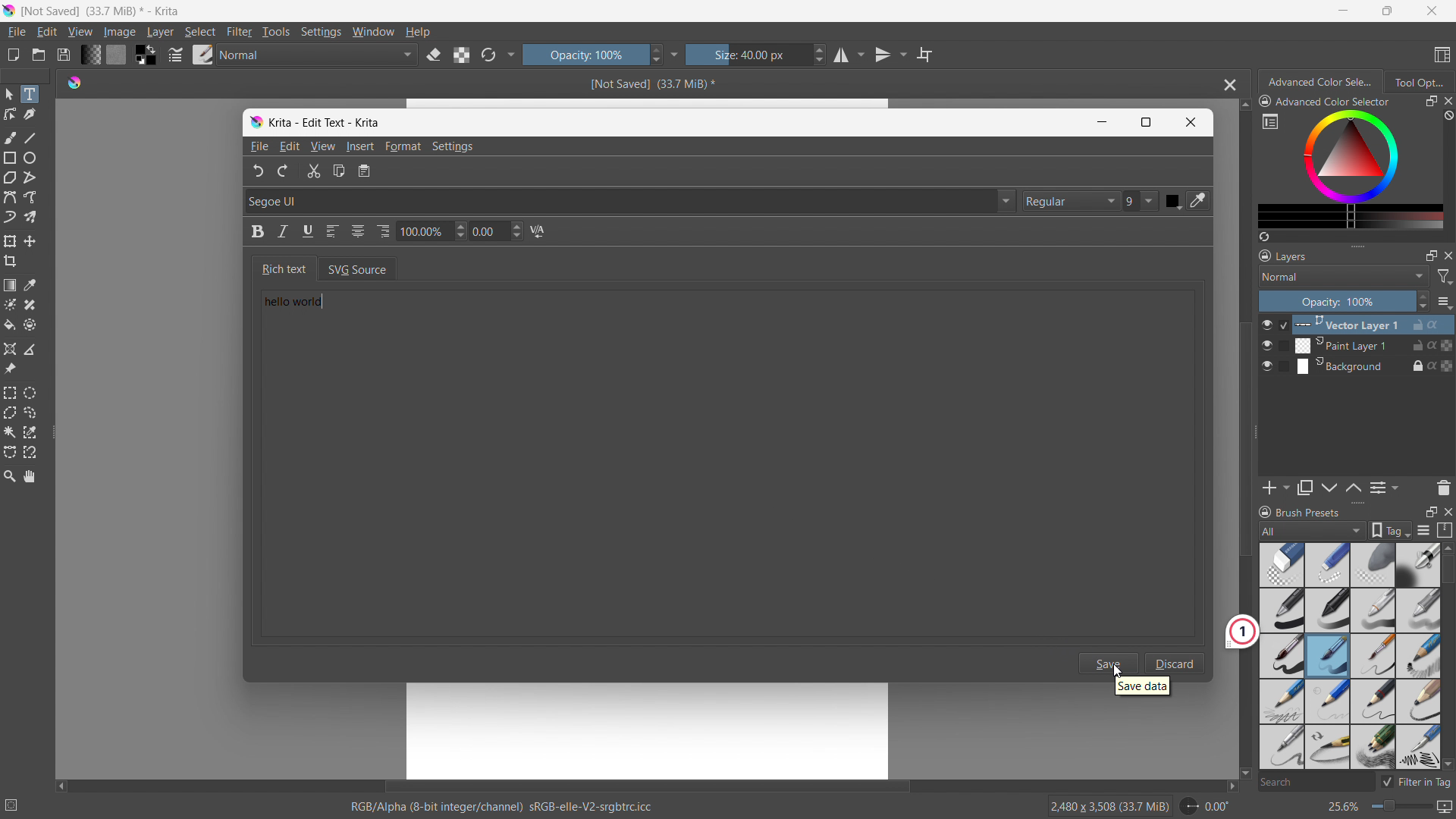 This screenshot has width=1456, height=819. What do you see at coordinates (1330, 488) in the screenshot?
I see `move layer up` at bounding box center [1330, 488].